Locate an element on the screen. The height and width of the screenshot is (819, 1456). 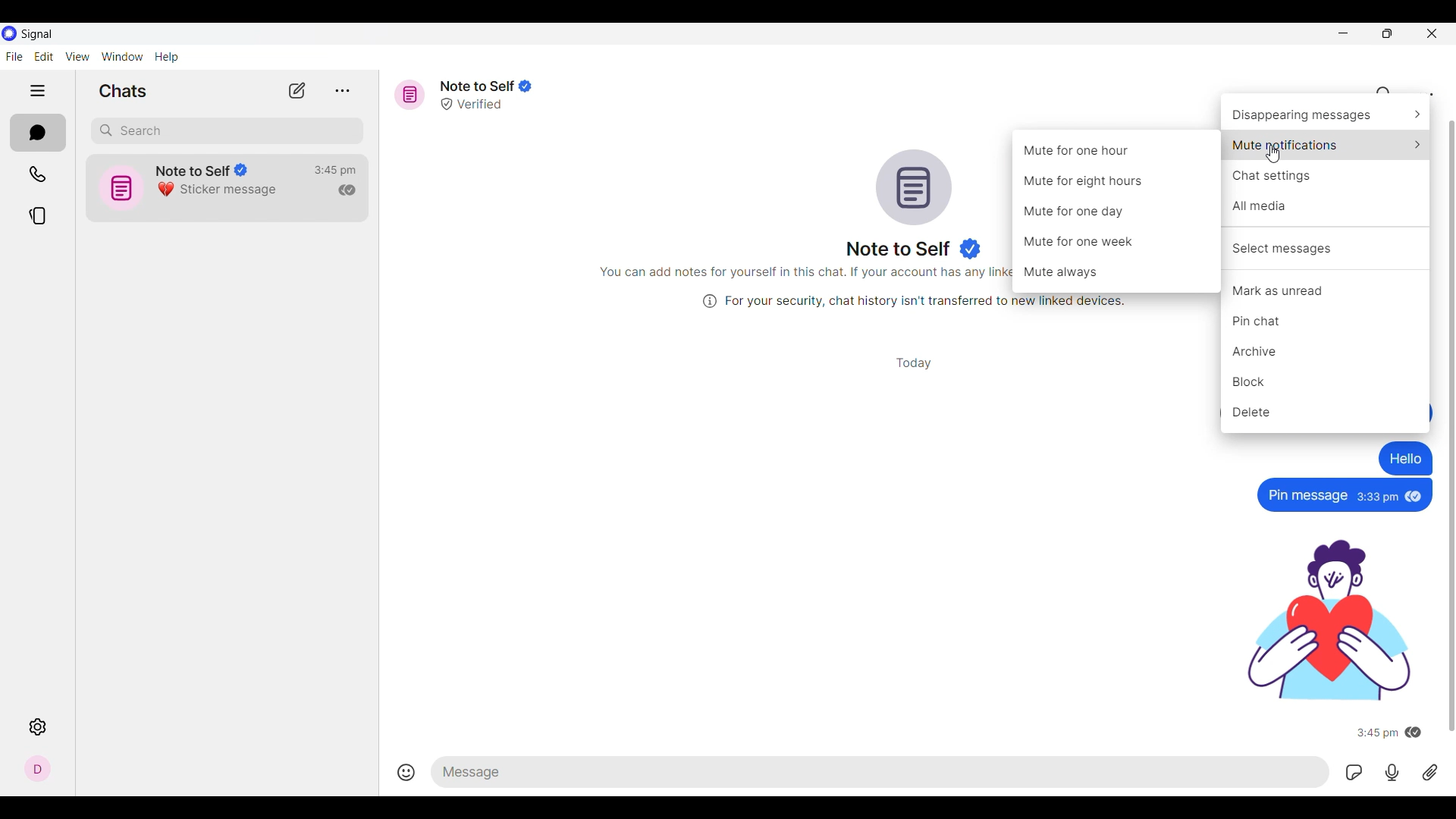
New chat is located at coordinates (297, 91).